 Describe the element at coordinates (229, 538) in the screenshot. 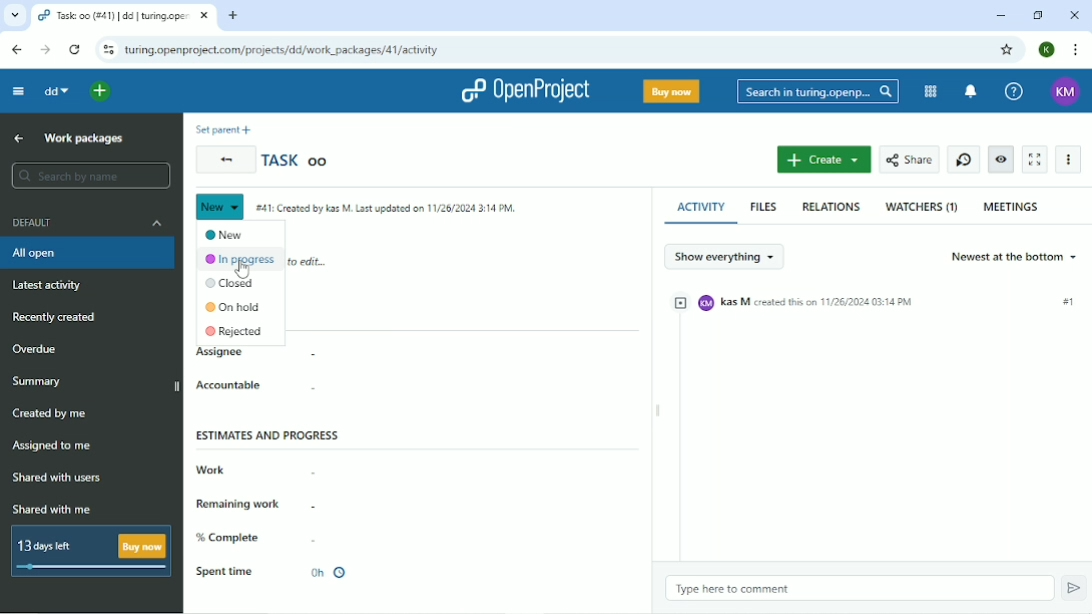

I see `% Complete` at that location.